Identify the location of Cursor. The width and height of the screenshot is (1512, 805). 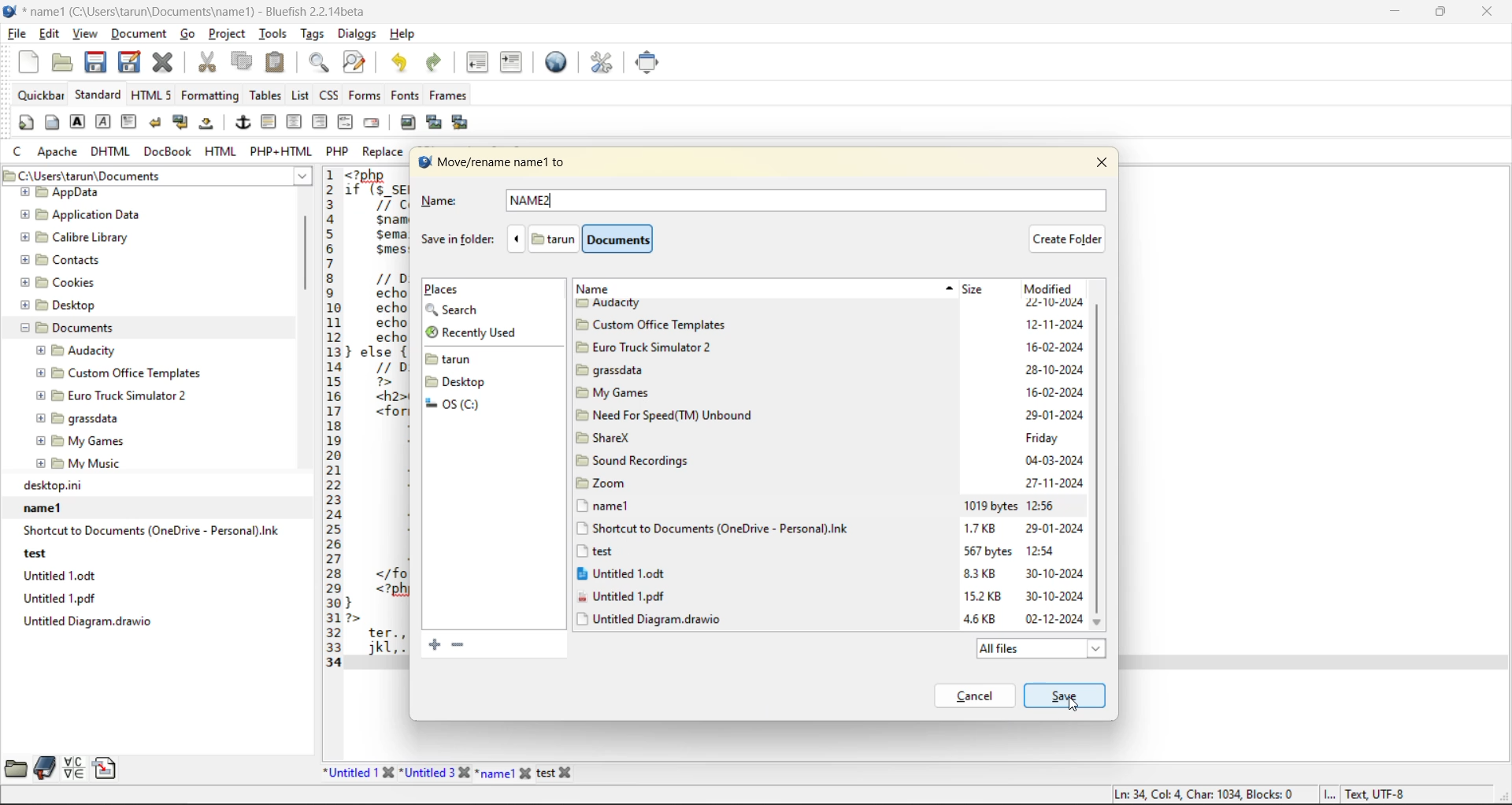
(1075, 703).